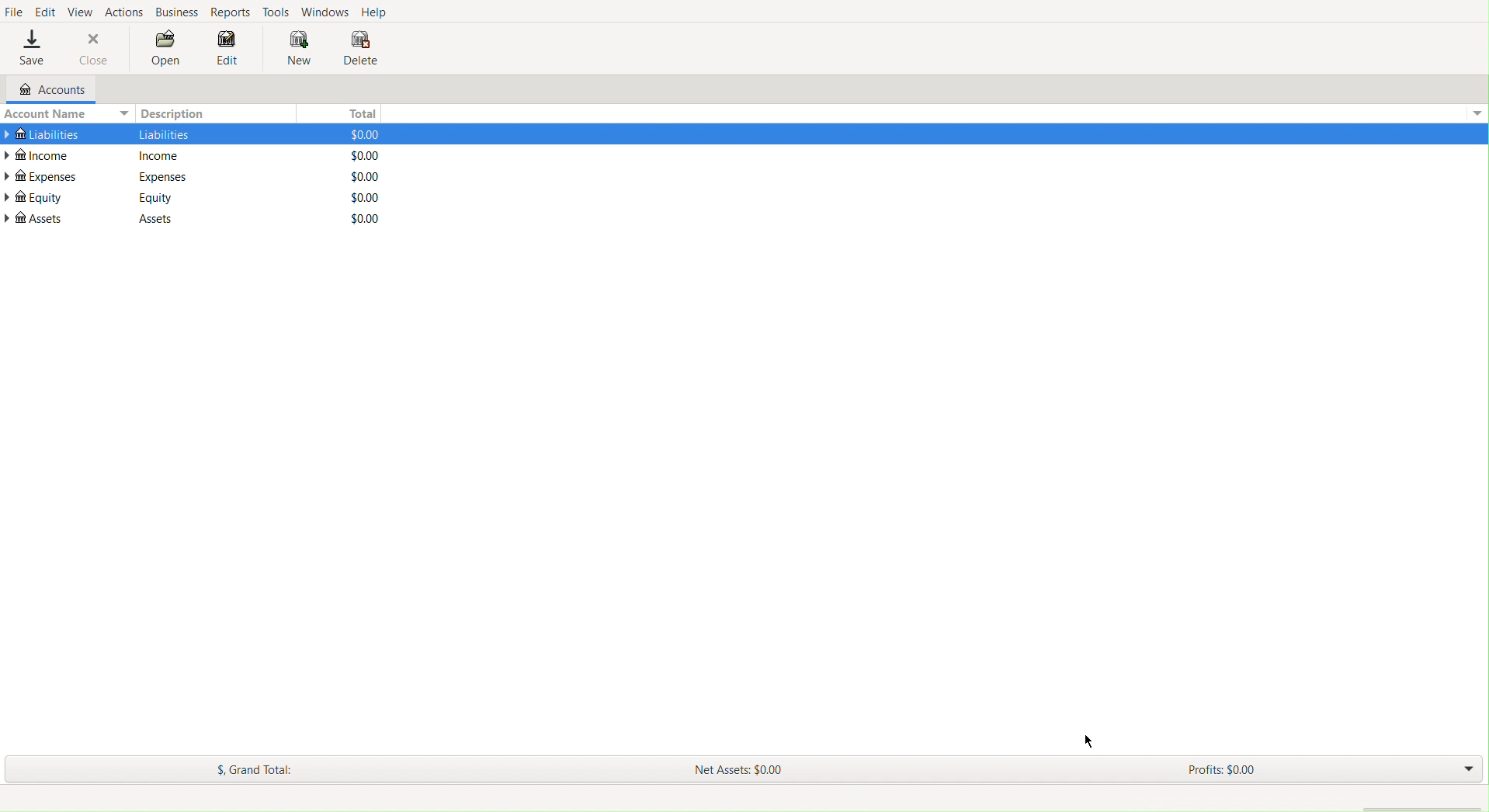  I want to click on $0.00, so click(359, 177).